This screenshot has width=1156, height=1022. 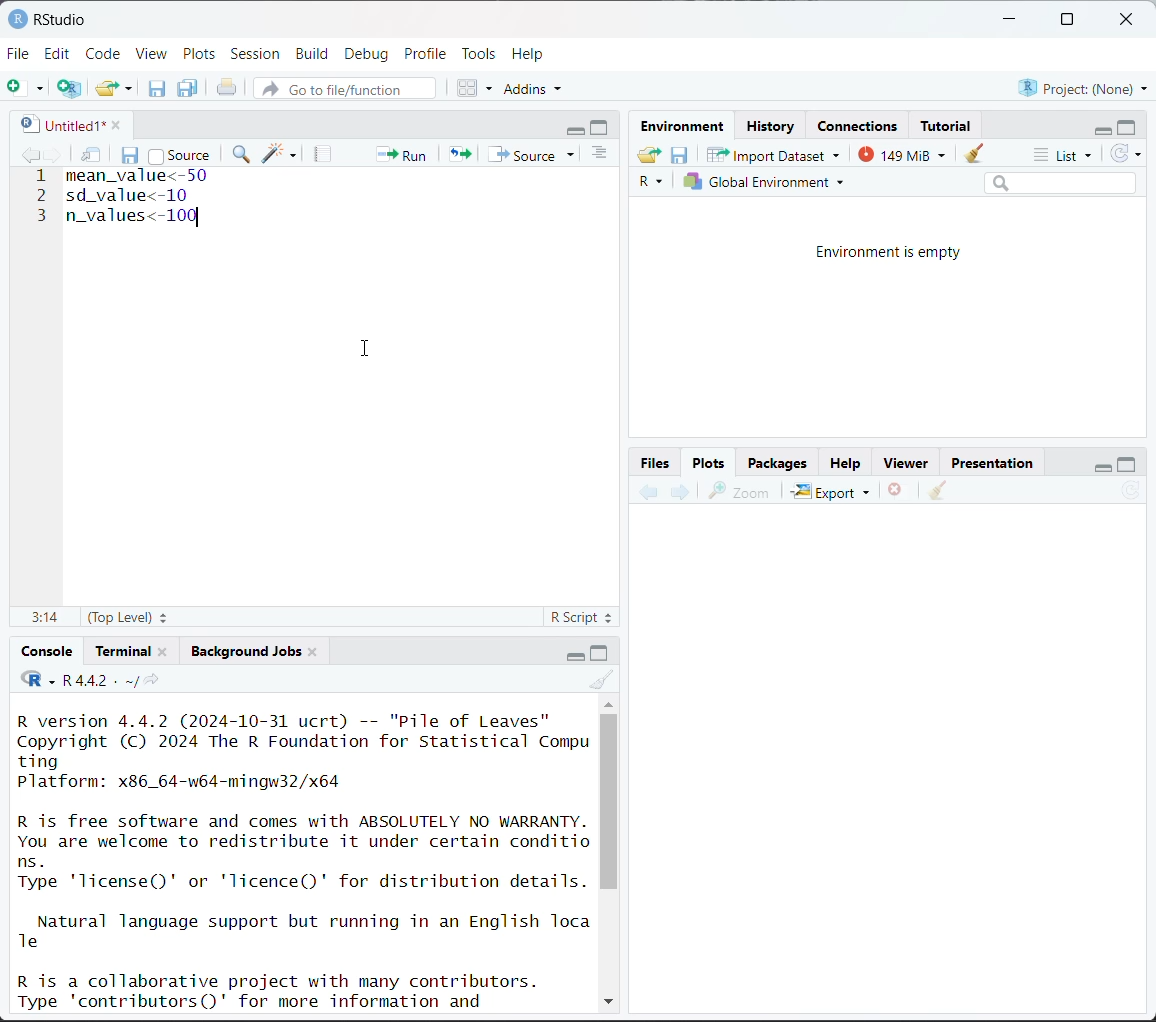 I want to click on clear objects from workspace, so click(x=969, y=150).